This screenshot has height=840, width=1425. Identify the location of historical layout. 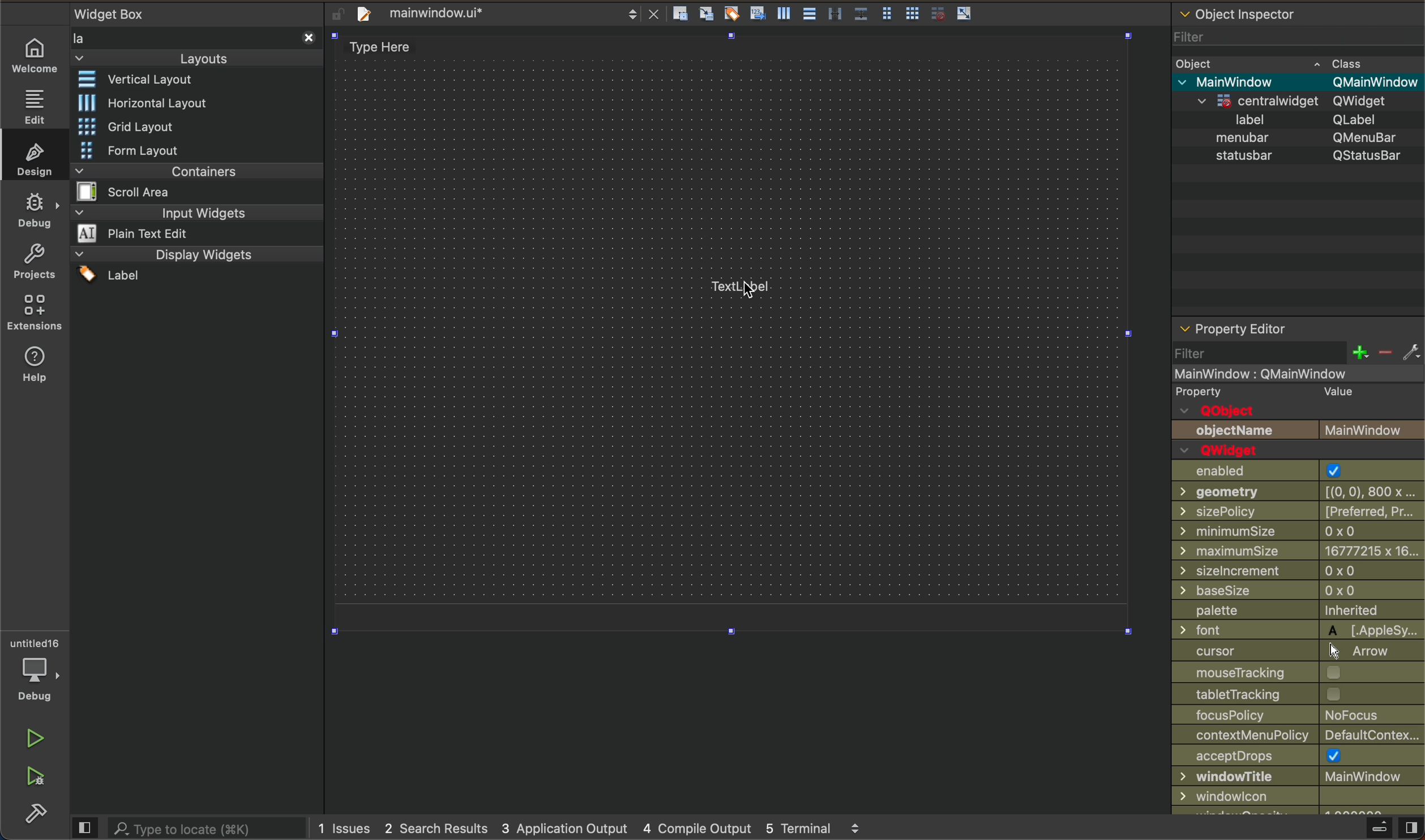
(144, 102).